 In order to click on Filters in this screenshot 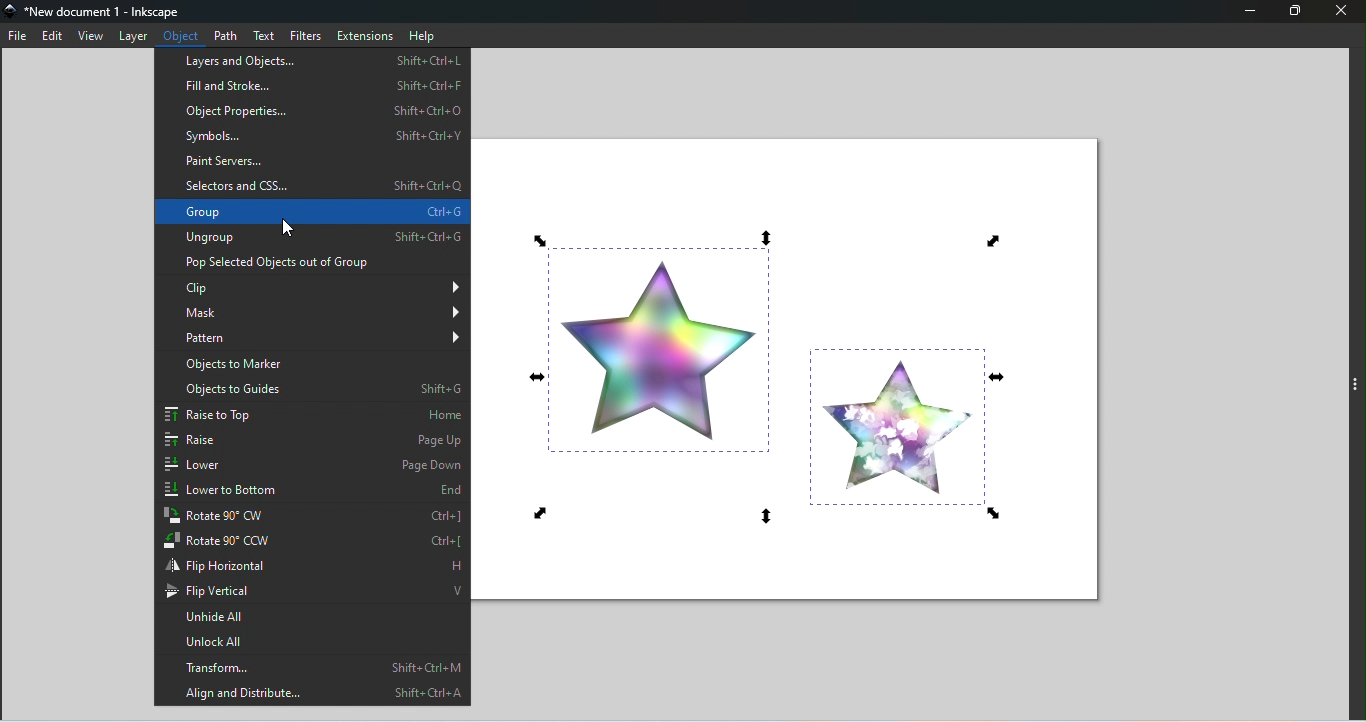, I will do `click(307, 35)`.